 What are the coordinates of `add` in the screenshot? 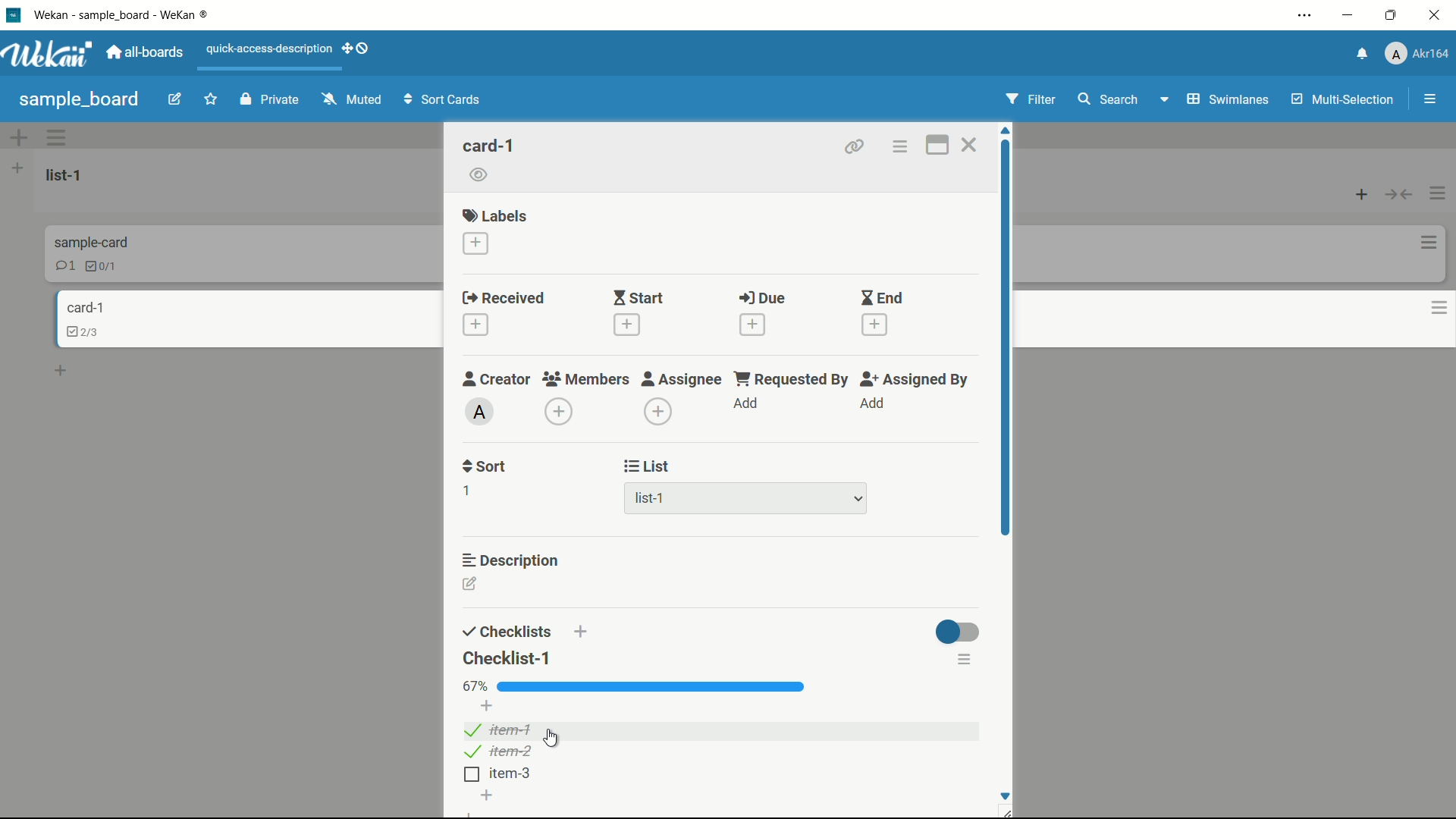 It's located at (874, 406).